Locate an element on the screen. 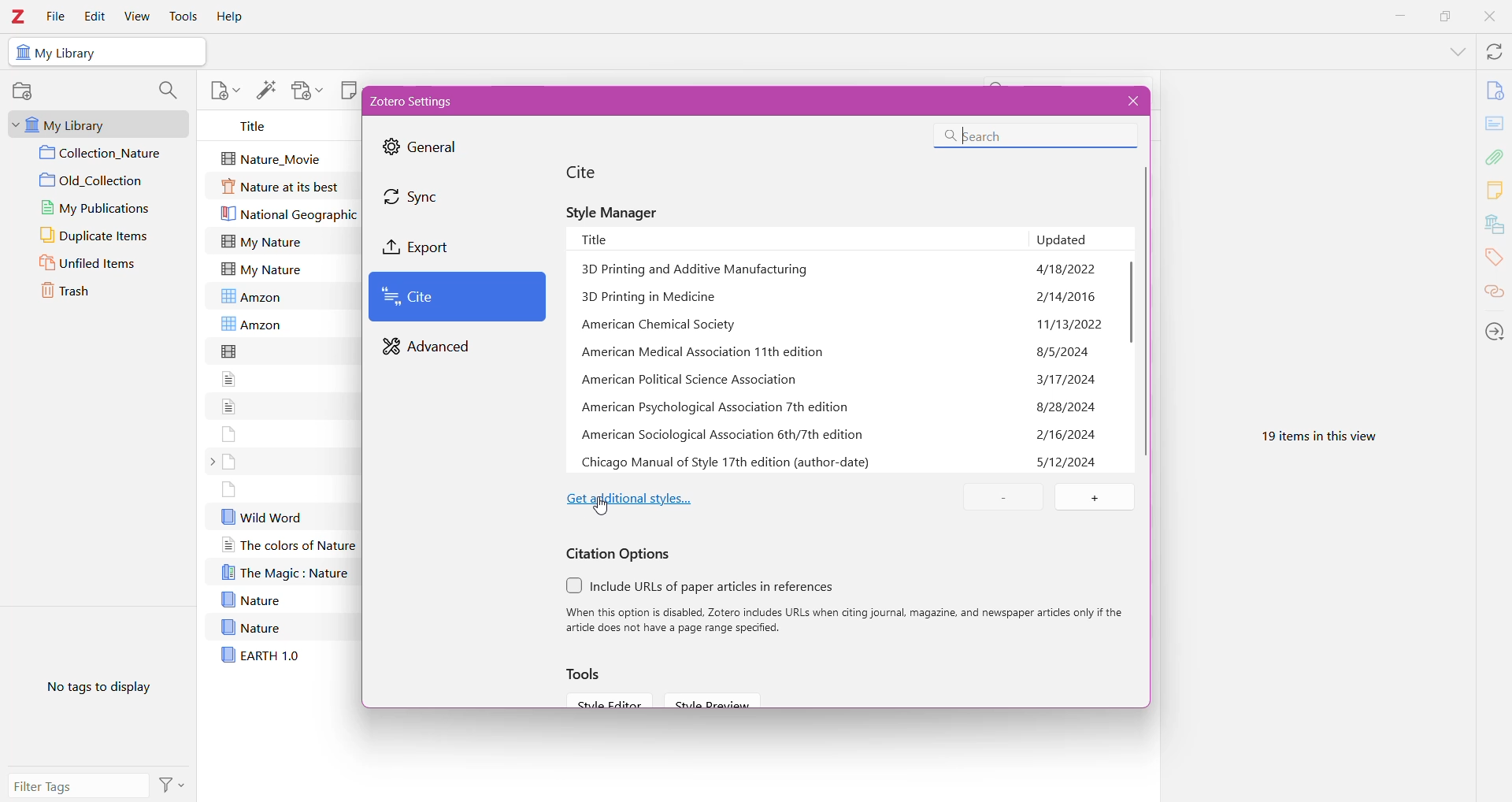 This screenshot has width=1512, height=802. file without title is located at coordinates (230, 462).